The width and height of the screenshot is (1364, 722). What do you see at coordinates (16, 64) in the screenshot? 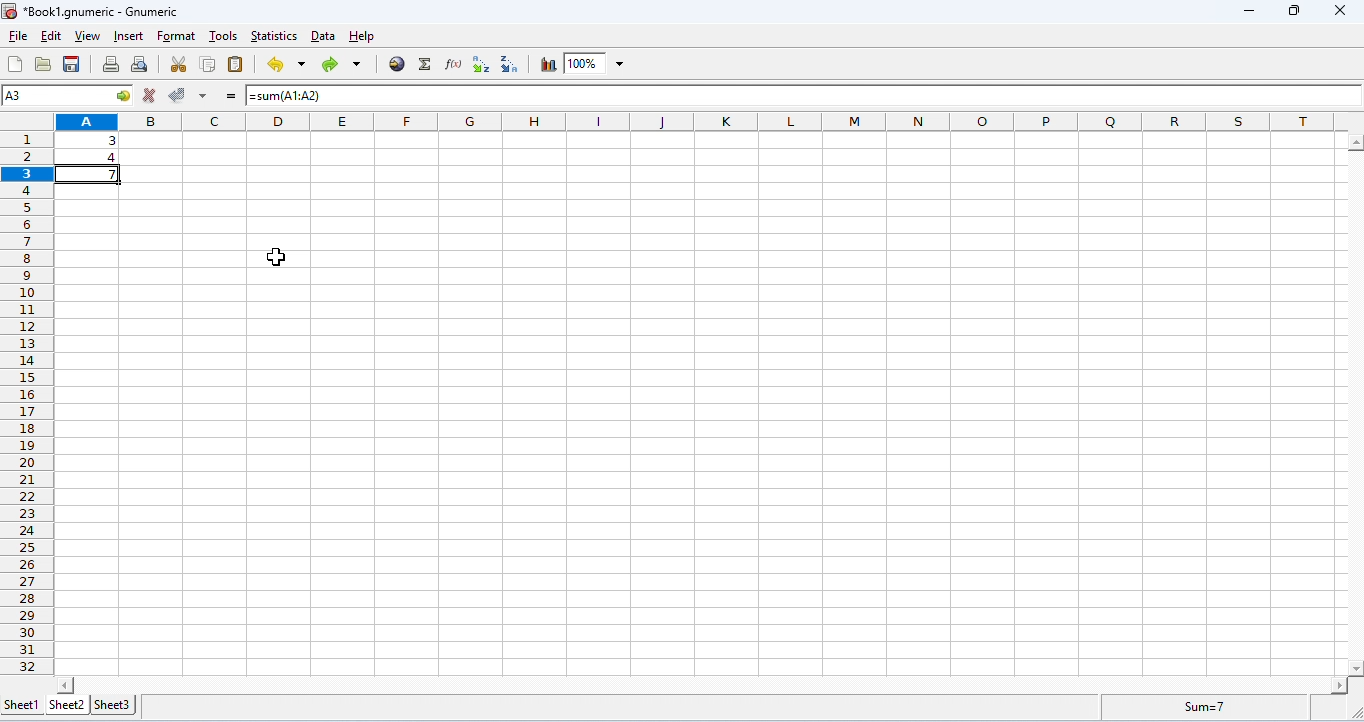
I see `new` at bounding box center [16, 64].